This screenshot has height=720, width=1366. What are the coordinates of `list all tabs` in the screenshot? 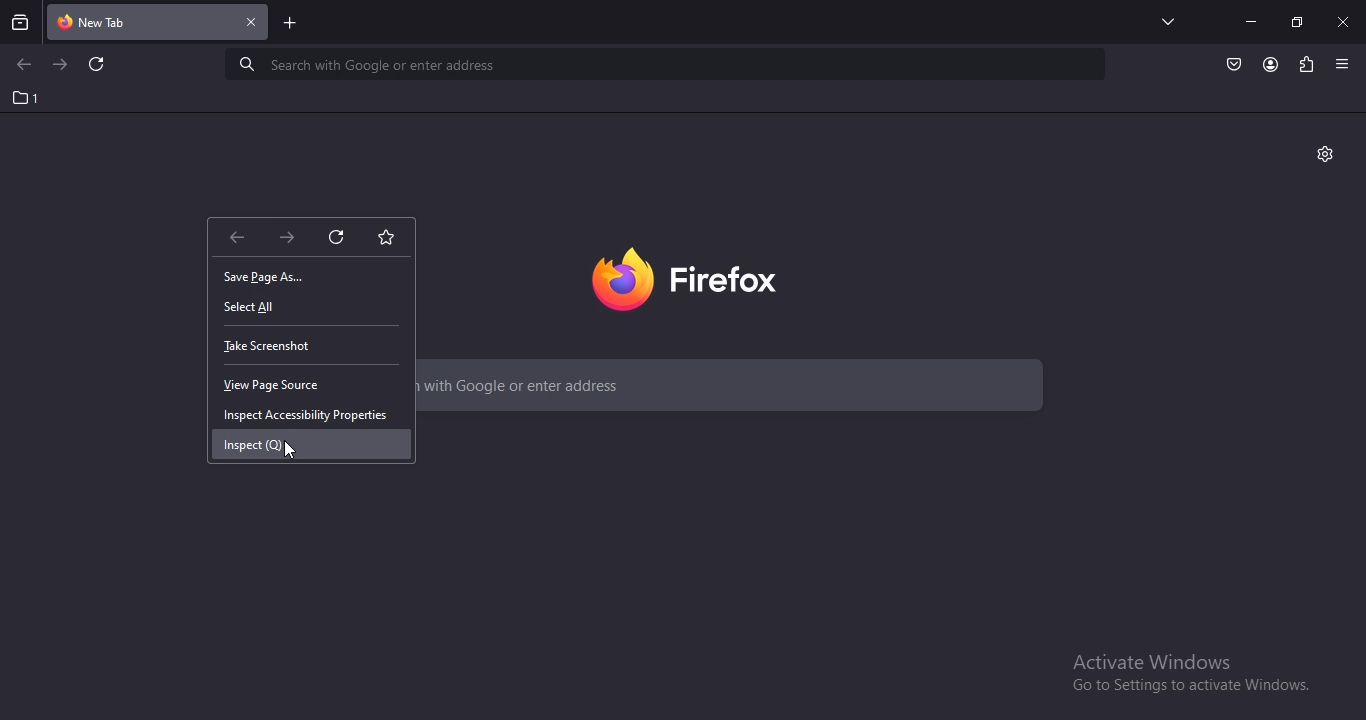 It's located at (1163, 21).